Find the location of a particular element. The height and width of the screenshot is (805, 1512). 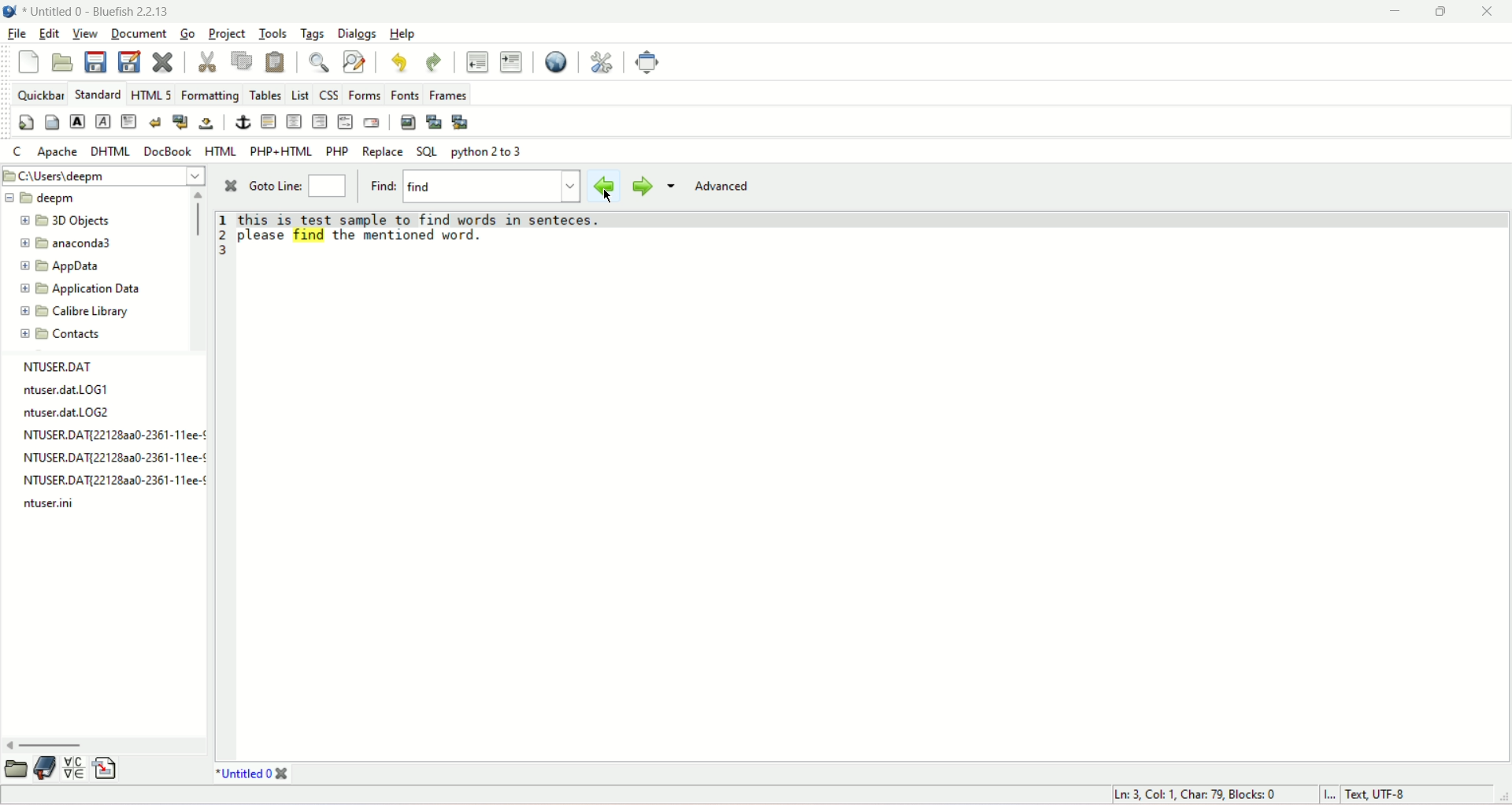

edit is located at coordinates (50, 33).